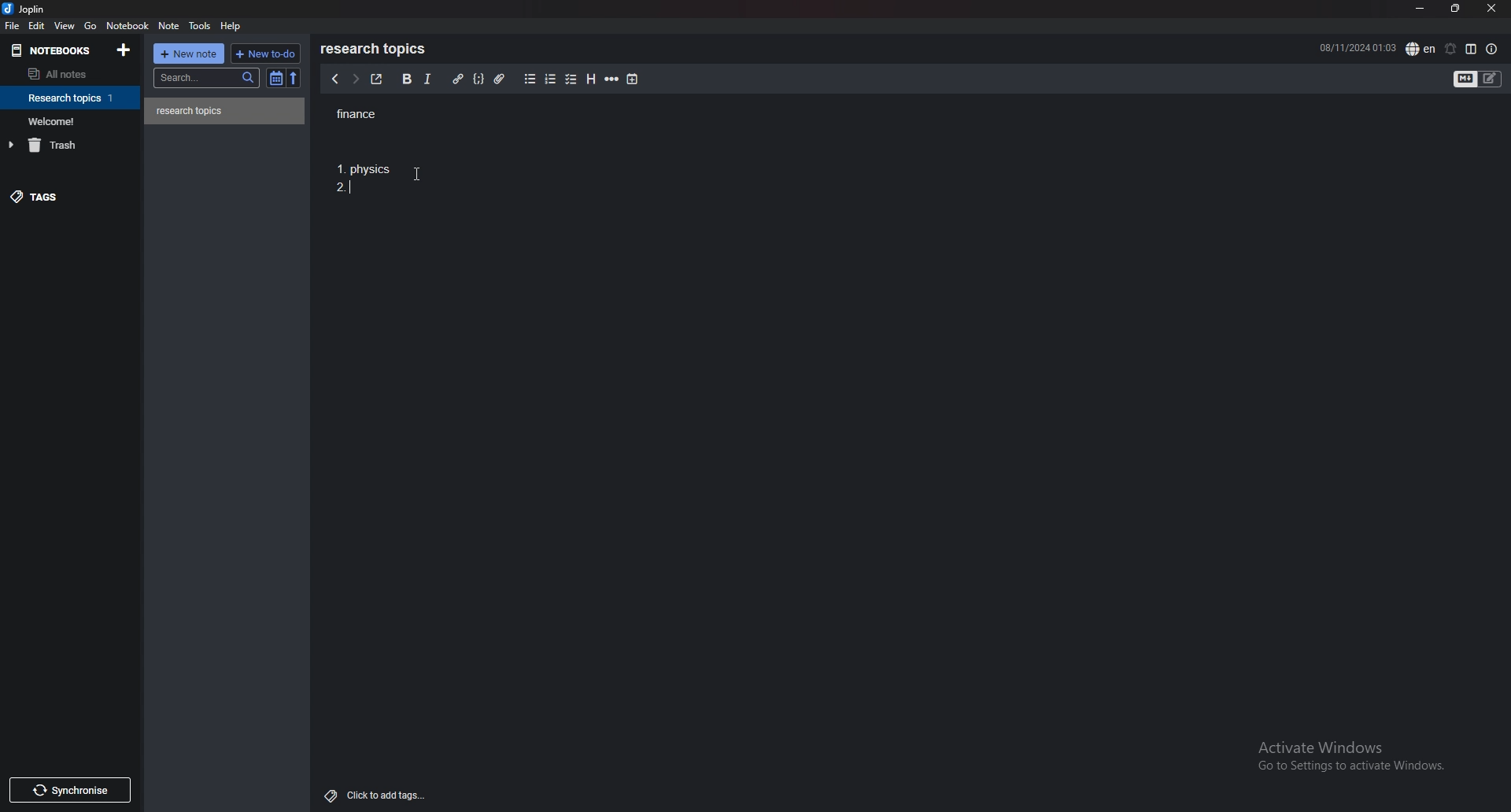  What do you see at coordinates (1419, 9) in the screenshot?
I see `minimize` at bounding box center [1419, 9].